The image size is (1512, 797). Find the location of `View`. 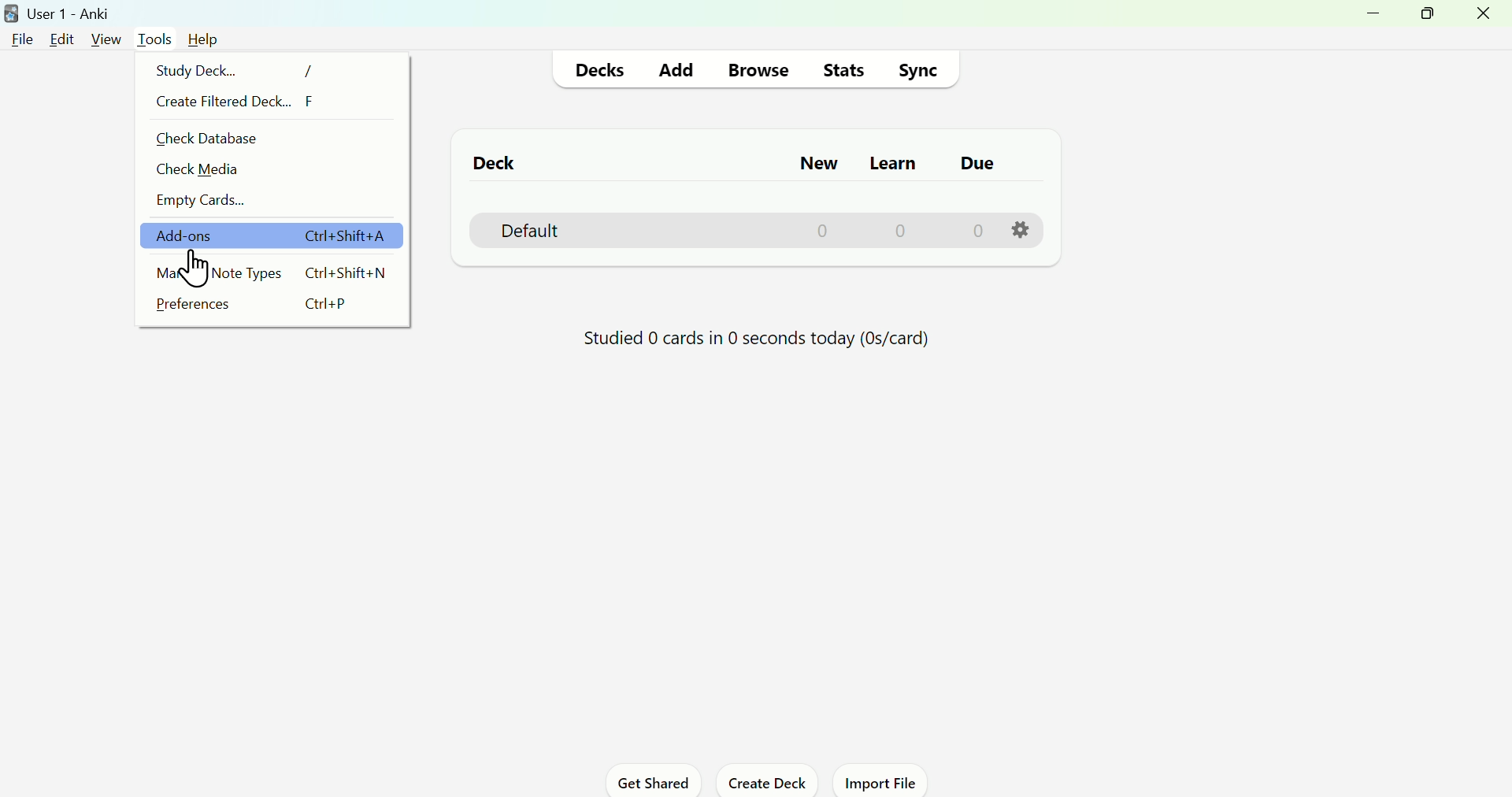

View is located at coordinates (103, 38).